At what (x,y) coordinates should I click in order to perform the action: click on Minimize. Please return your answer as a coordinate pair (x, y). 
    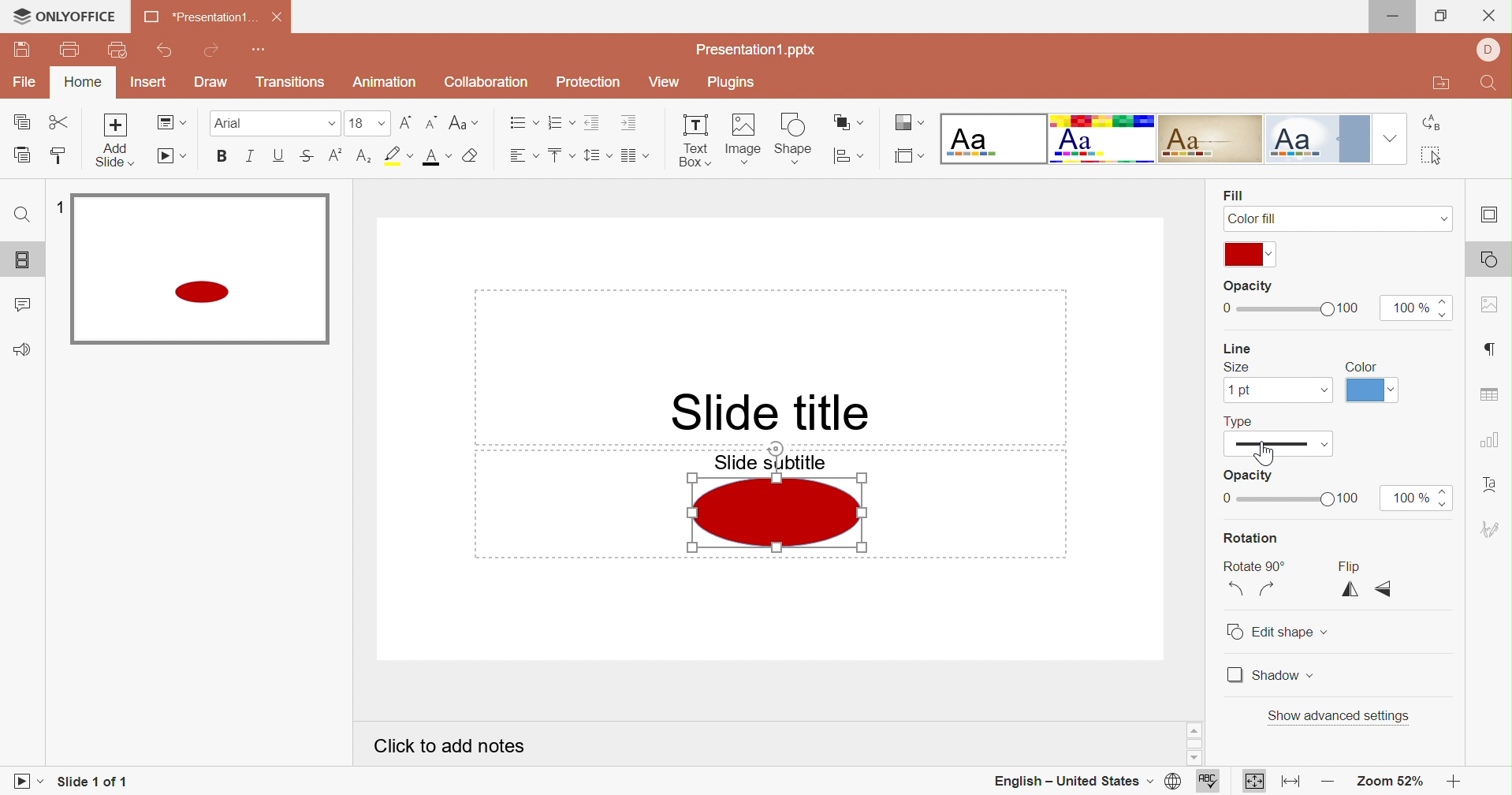
    Looking at the image, I should click on (1398, 17).